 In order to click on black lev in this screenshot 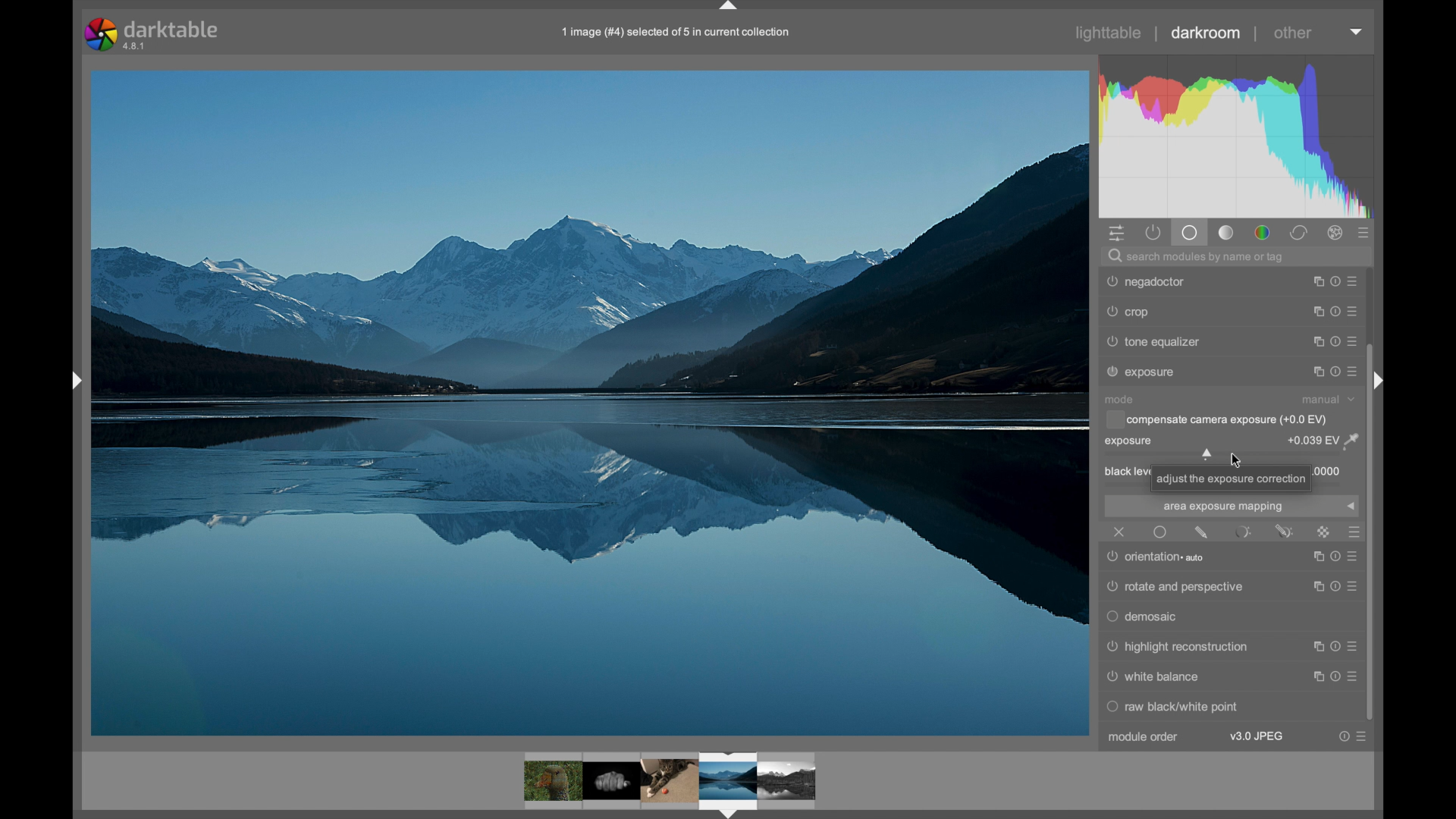, I will do `click(1124, 472)`.